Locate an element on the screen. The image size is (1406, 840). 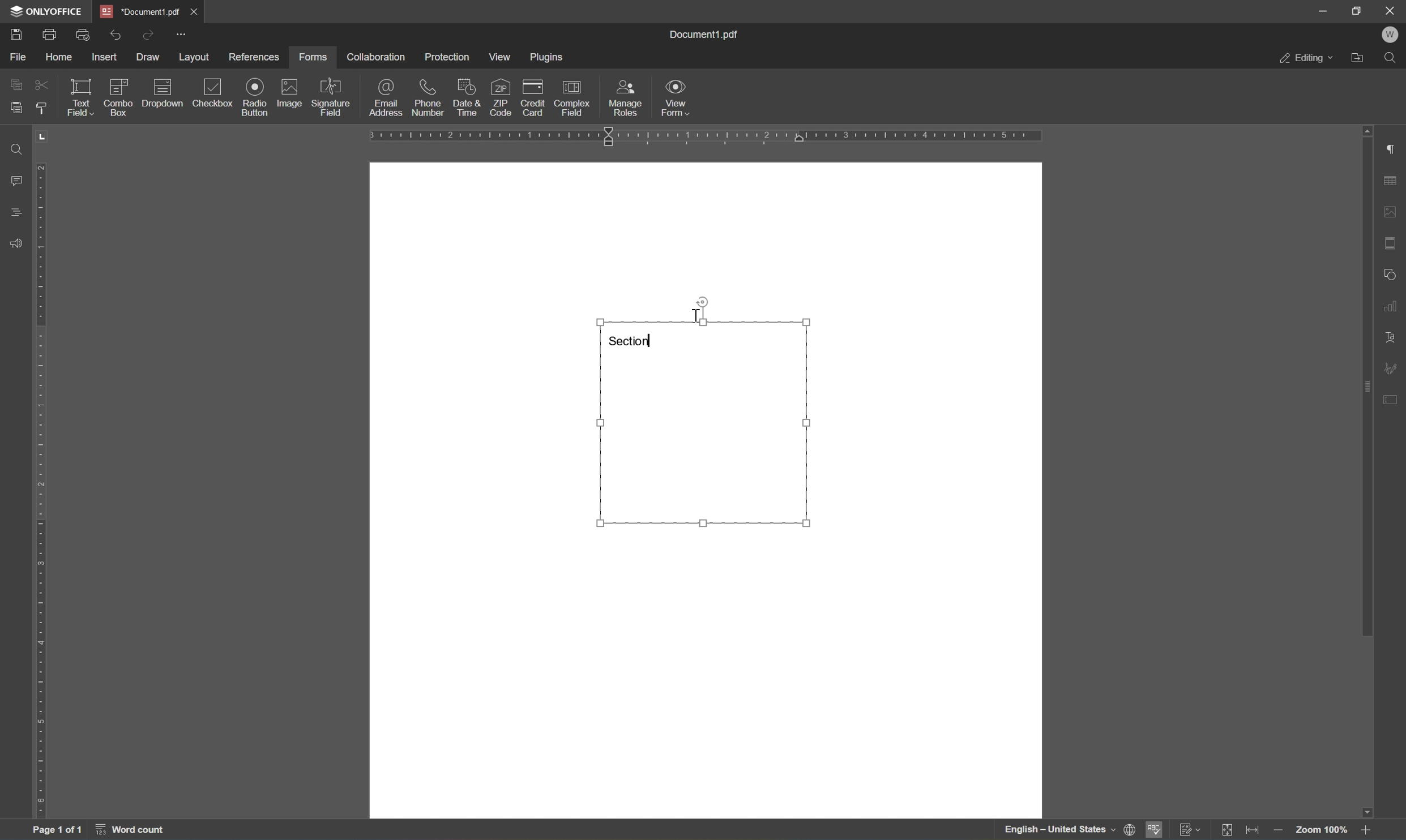
dropdown is located at coordinates (164, 93).